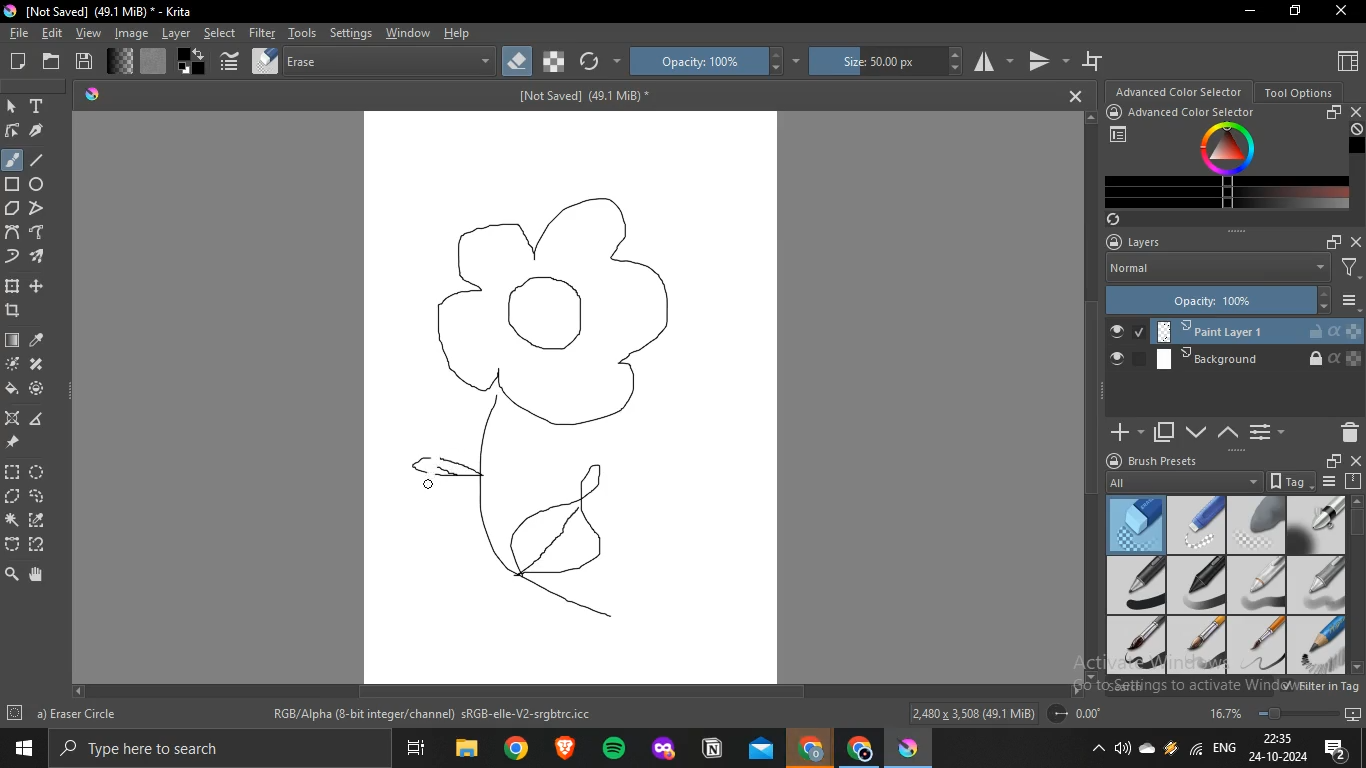 The image size is (1366, 768). I want to click on bezier curve selection tool, so click(13, 545).